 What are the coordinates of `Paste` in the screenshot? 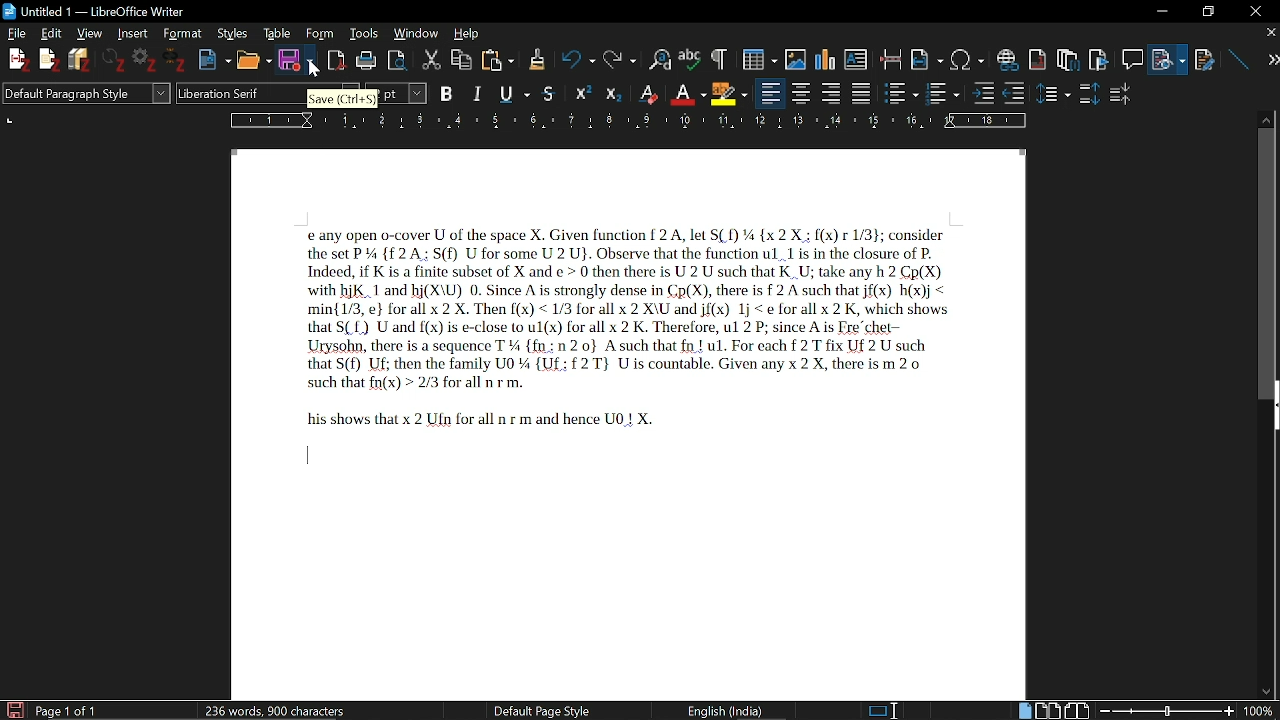 It's located at (499, 59).